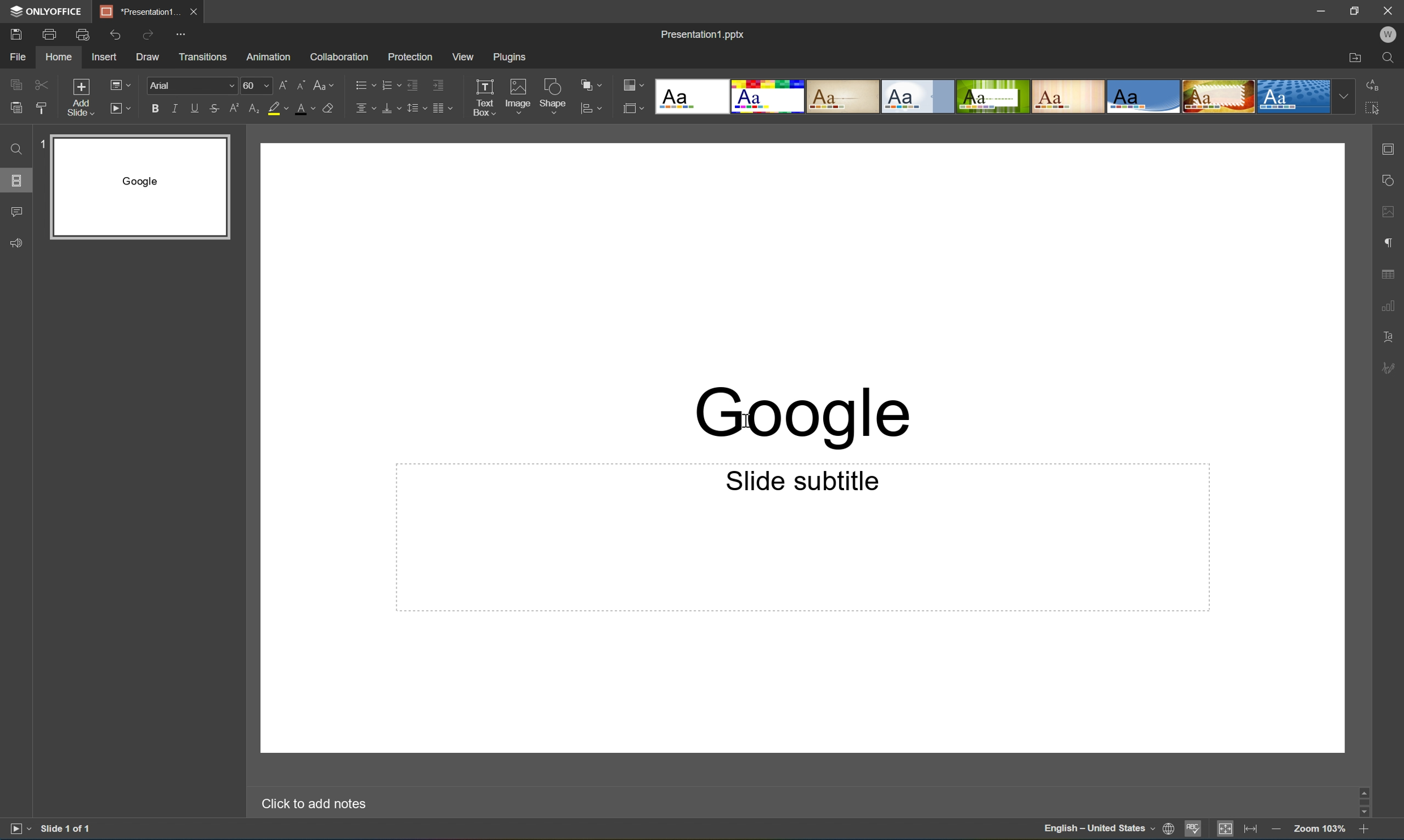  I want to click on Green Leaf, so click(992, 96).